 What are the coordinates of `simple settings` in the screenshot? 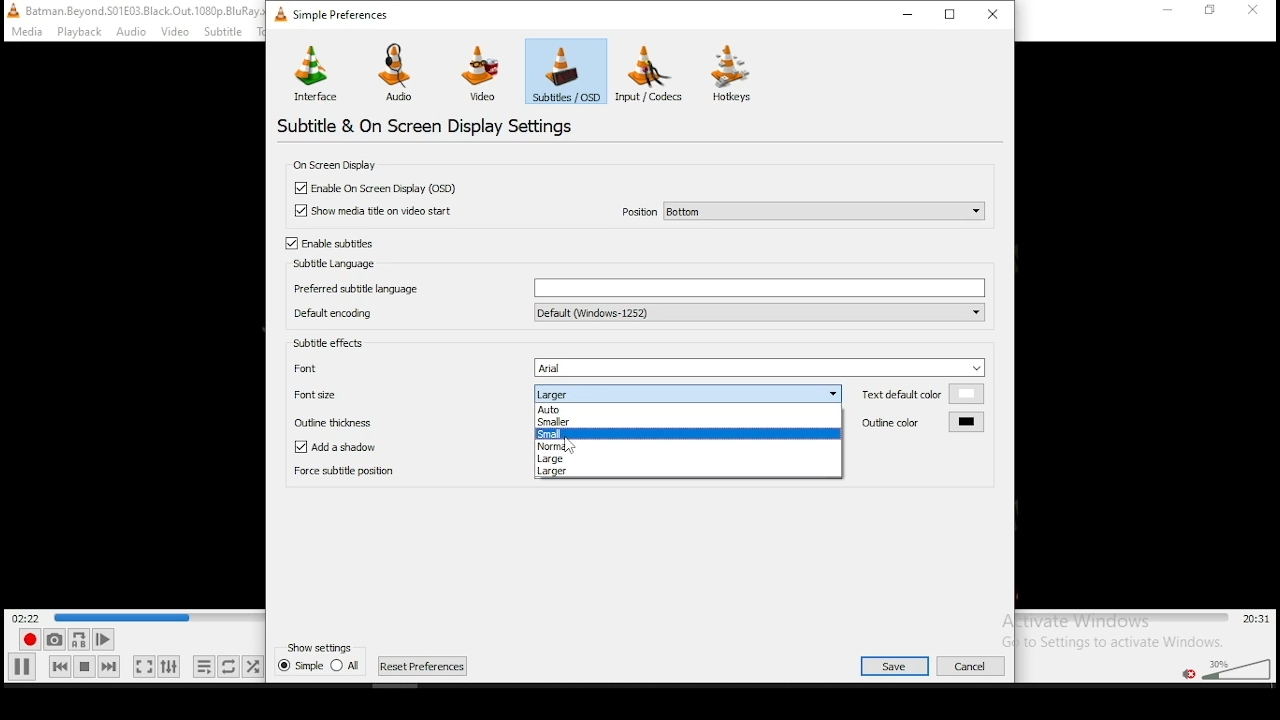 It's located at (335, 13).